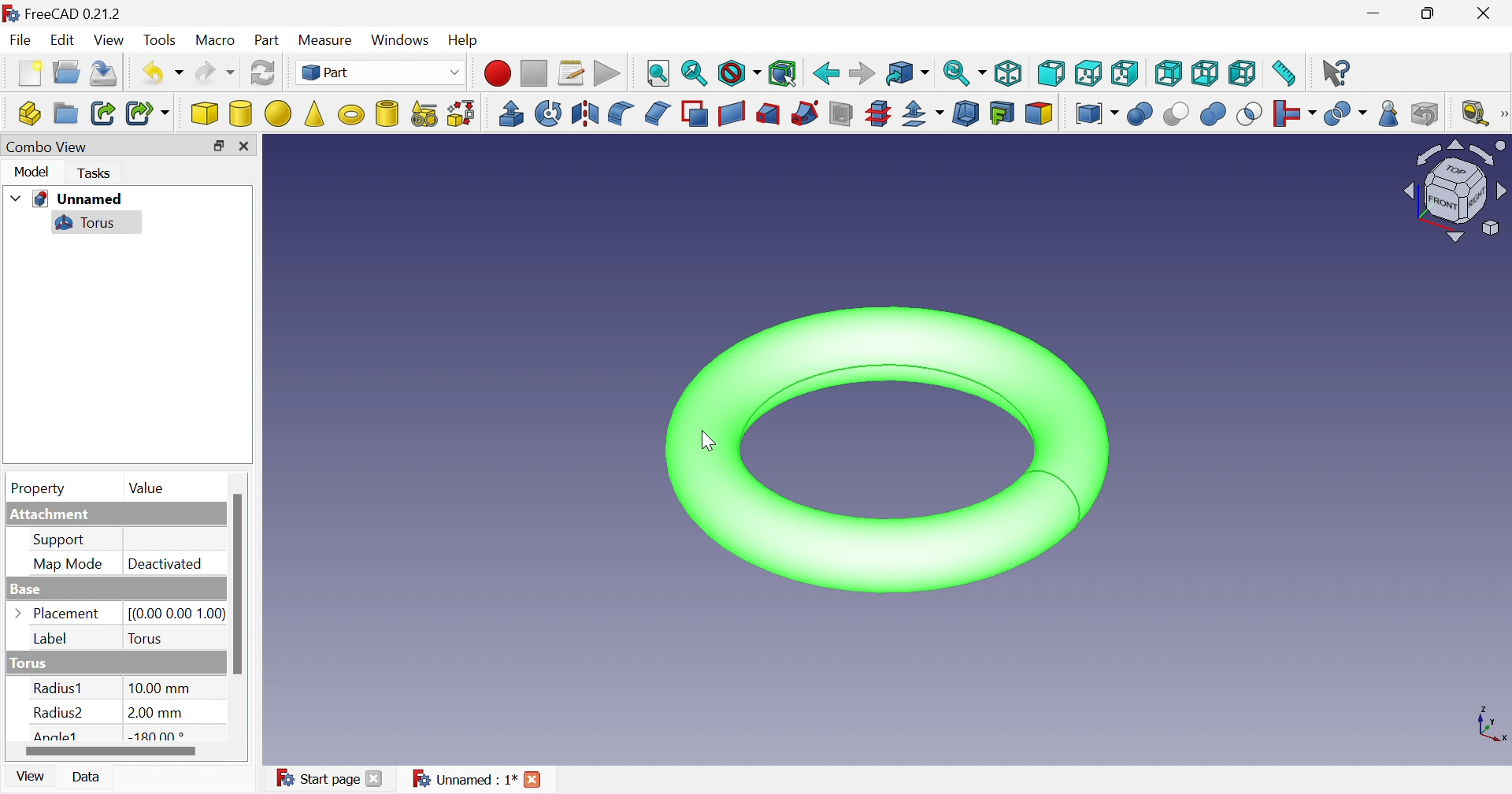  Describe the element at coordinates (1140, 114) in the screenshot. I see `Boolean` at that location.